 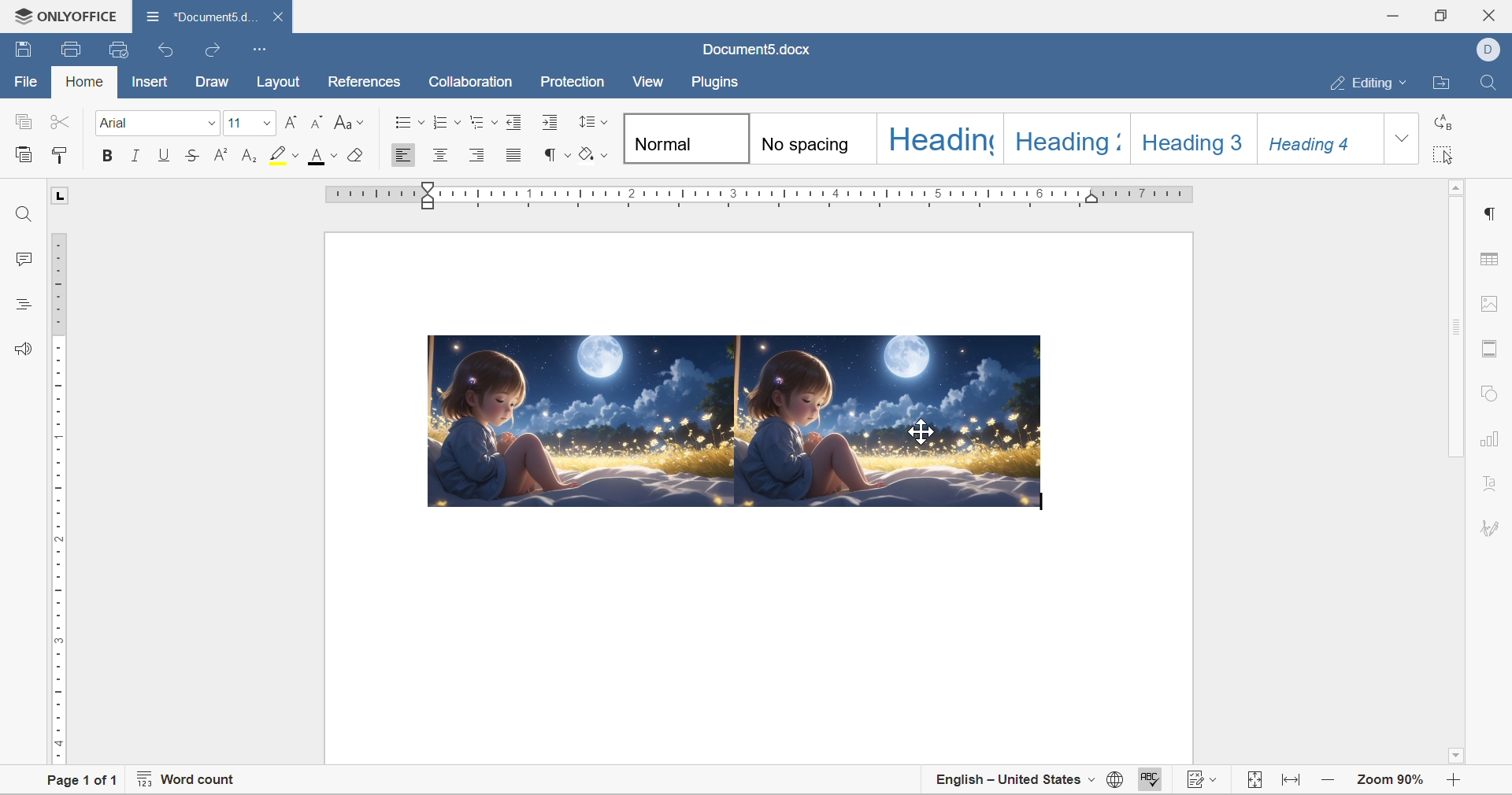 I want to click on bullets, so click(x=409, y=120).